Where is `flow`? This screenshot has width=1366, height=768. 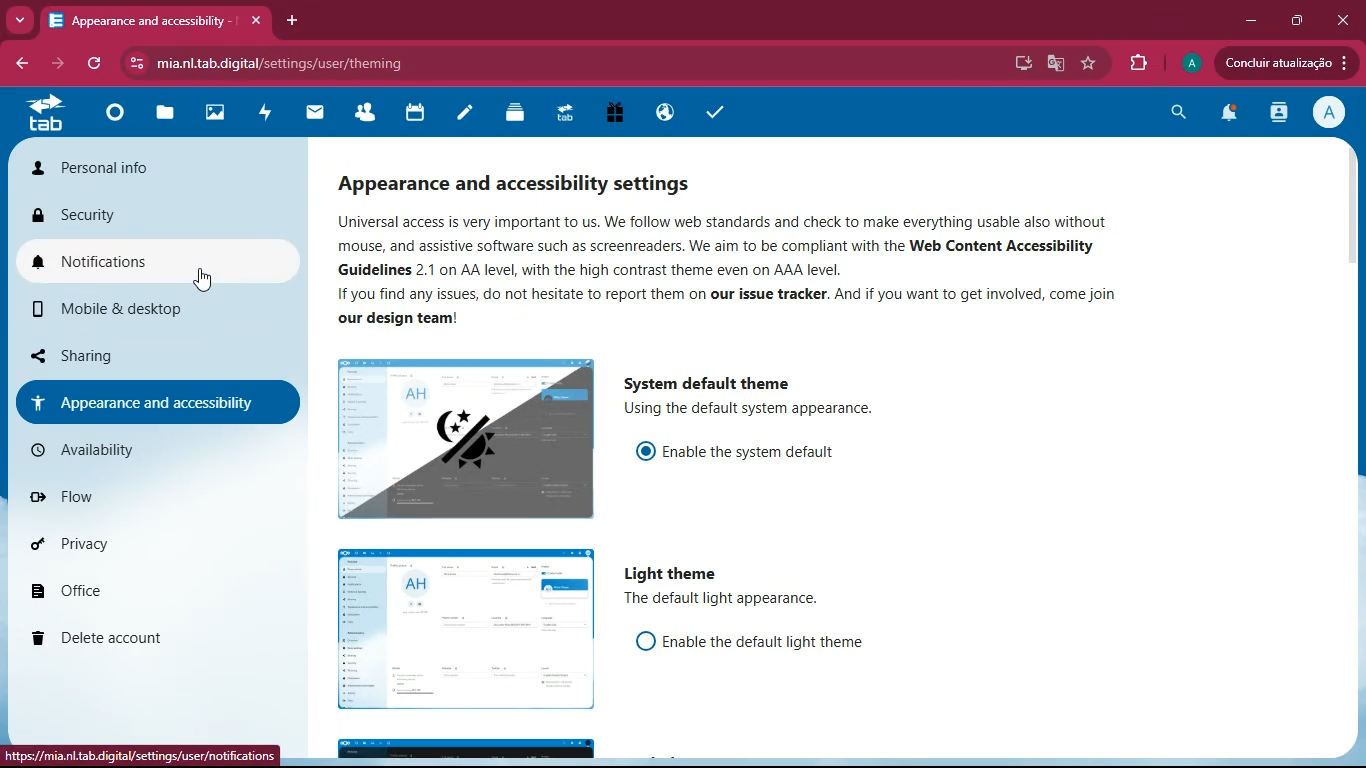 flow is located at coordinates (147, 499).